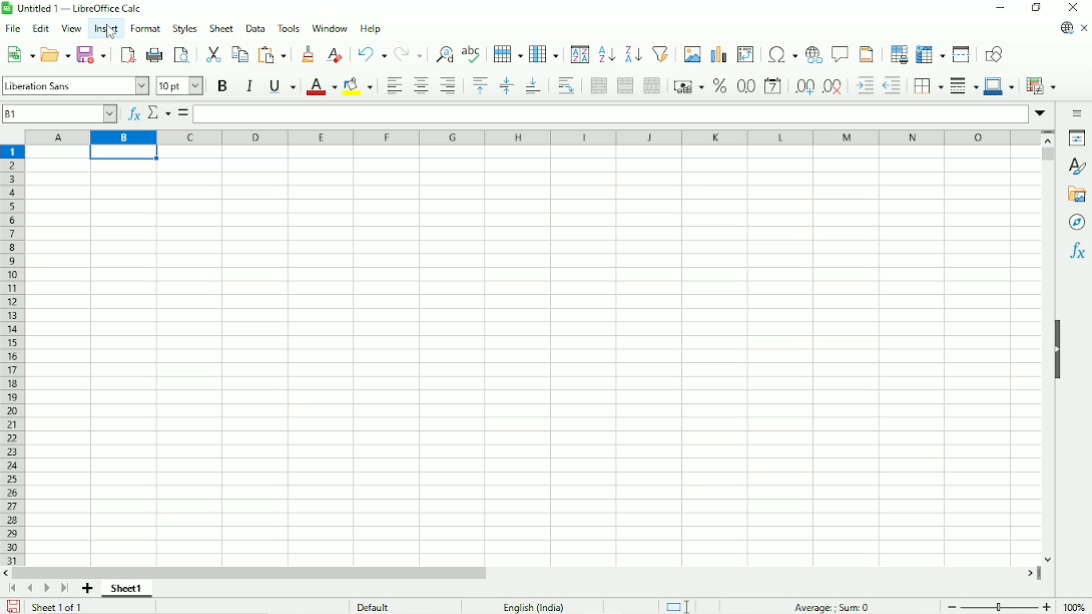  Describe the element at coordinates (40, 29) in the screenshot. I see `Edit` at that location.